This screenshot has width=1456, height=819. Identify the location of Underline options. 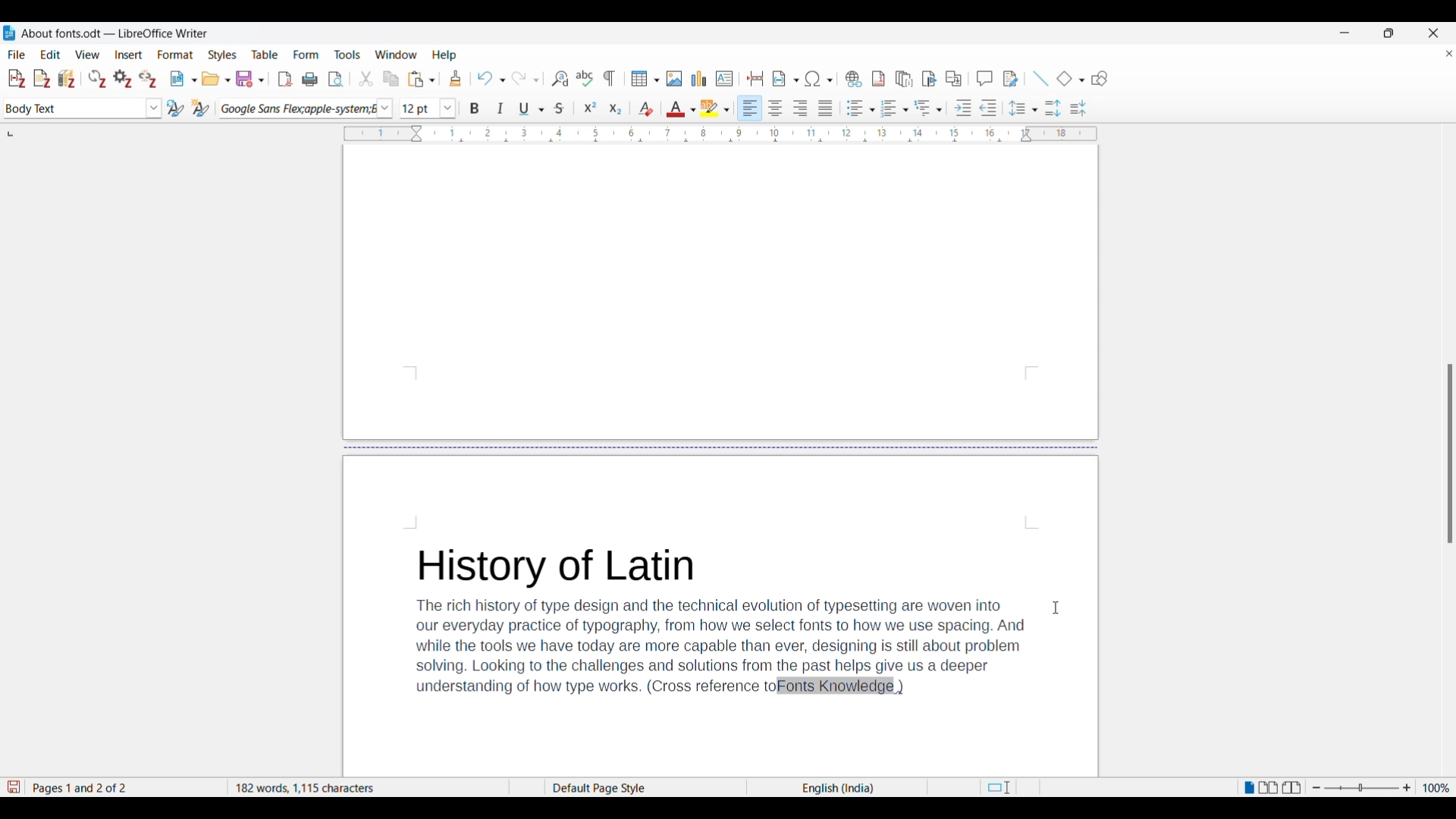
(531, 108).